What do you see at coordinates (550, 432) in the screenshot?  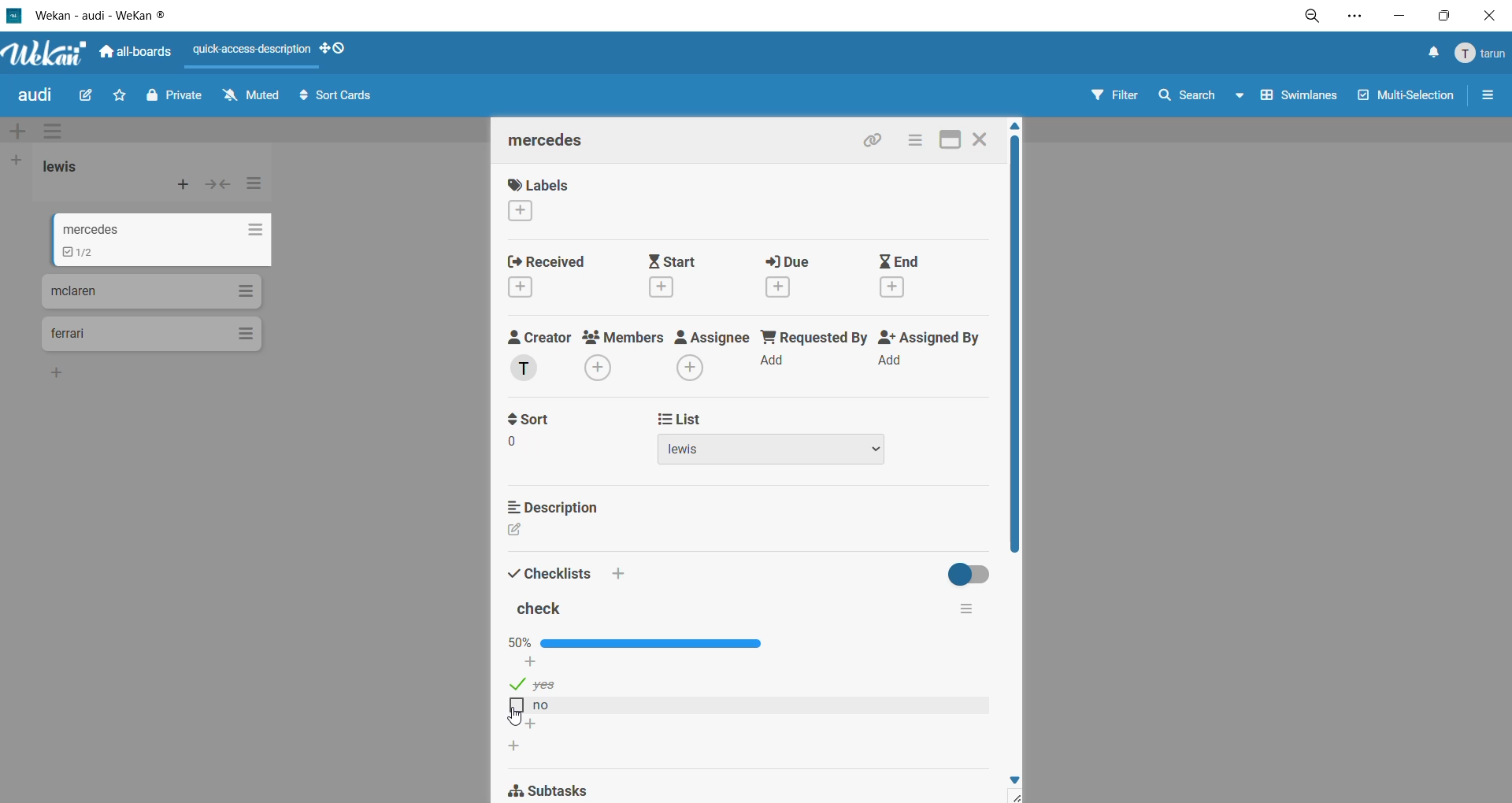 I see `sort` at bounding box center [550, 432].